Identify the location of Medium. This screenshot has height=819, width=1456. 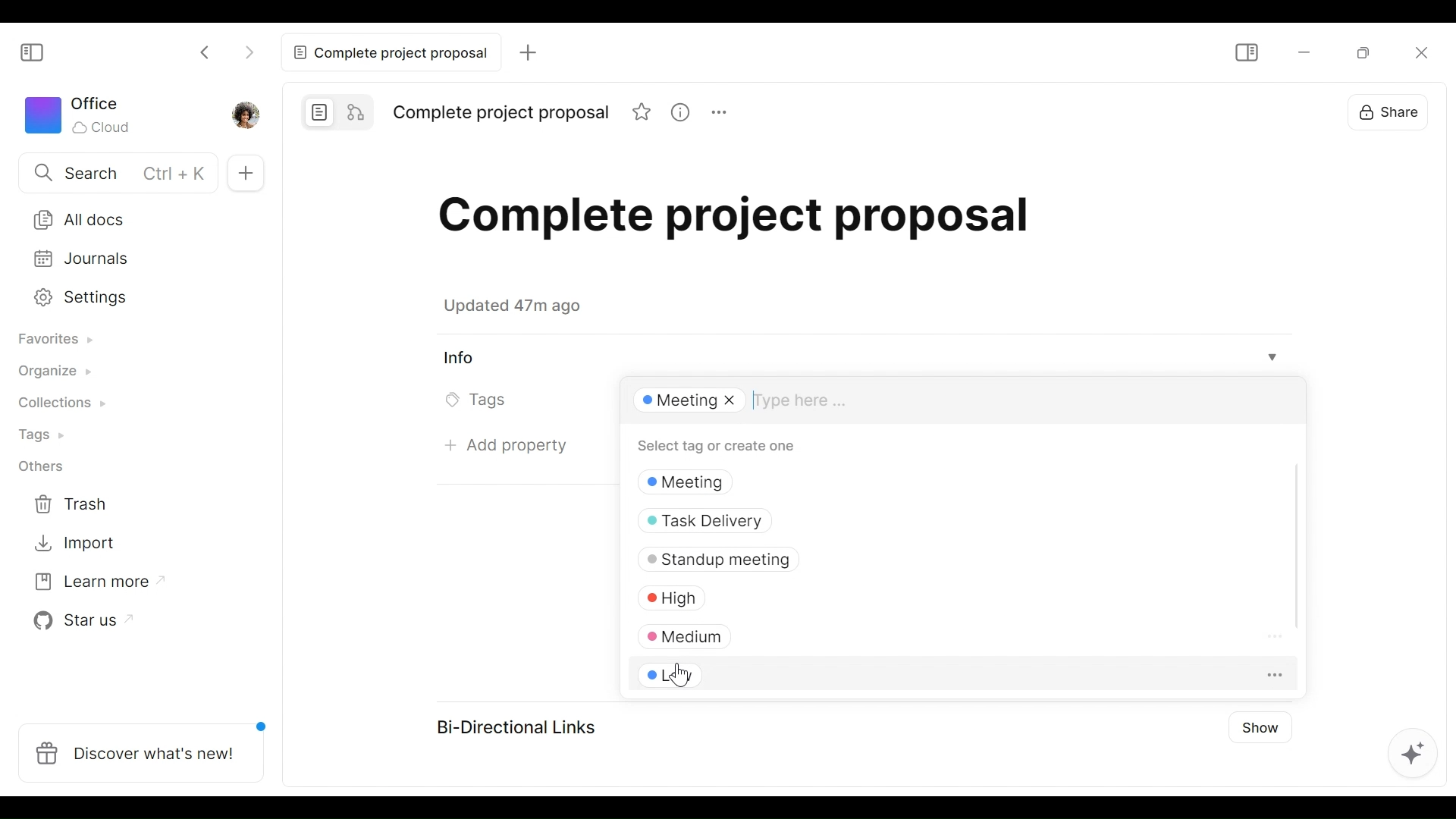
(799, 632).